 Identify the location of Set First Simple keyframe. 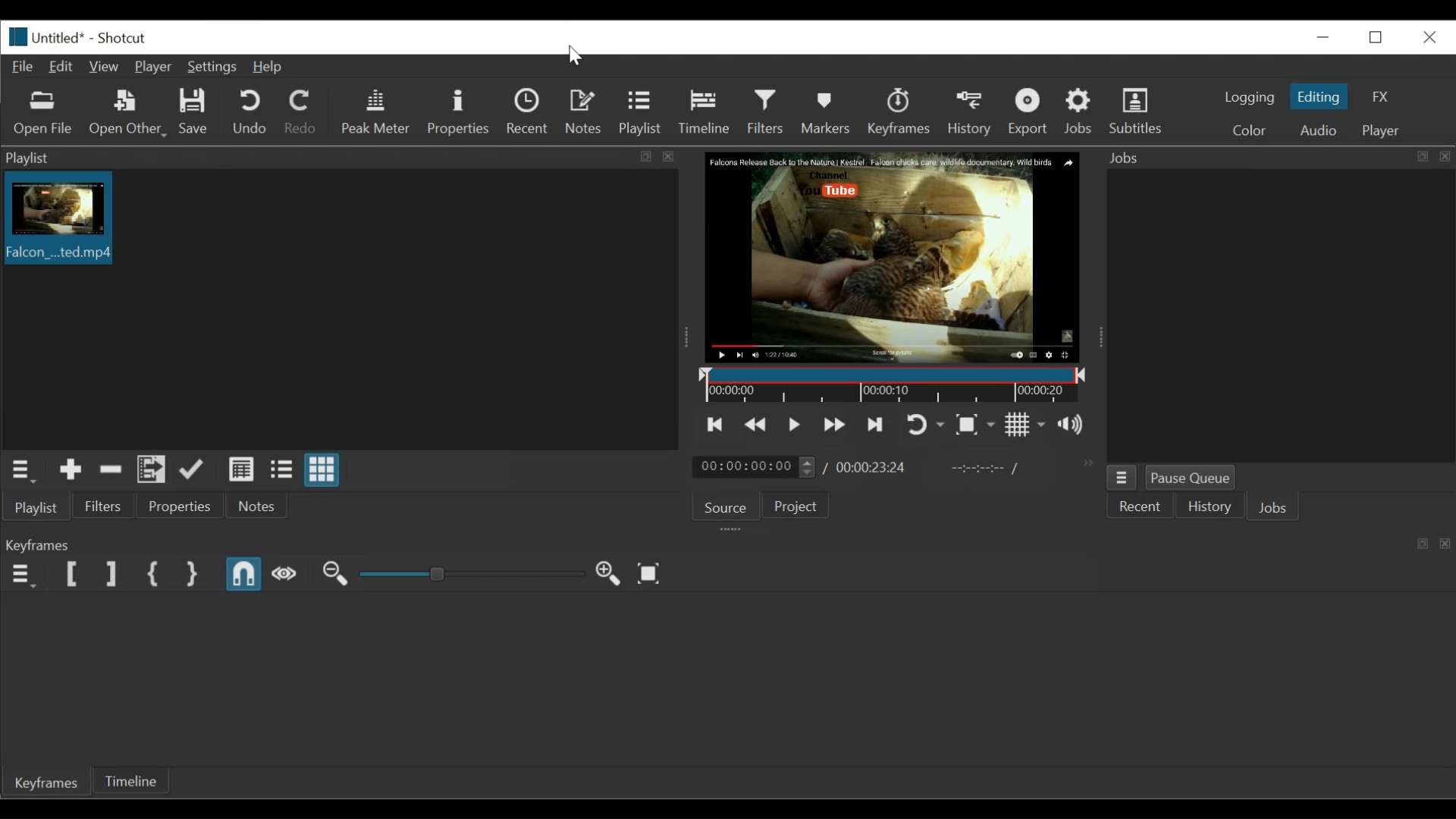
(153, 575).